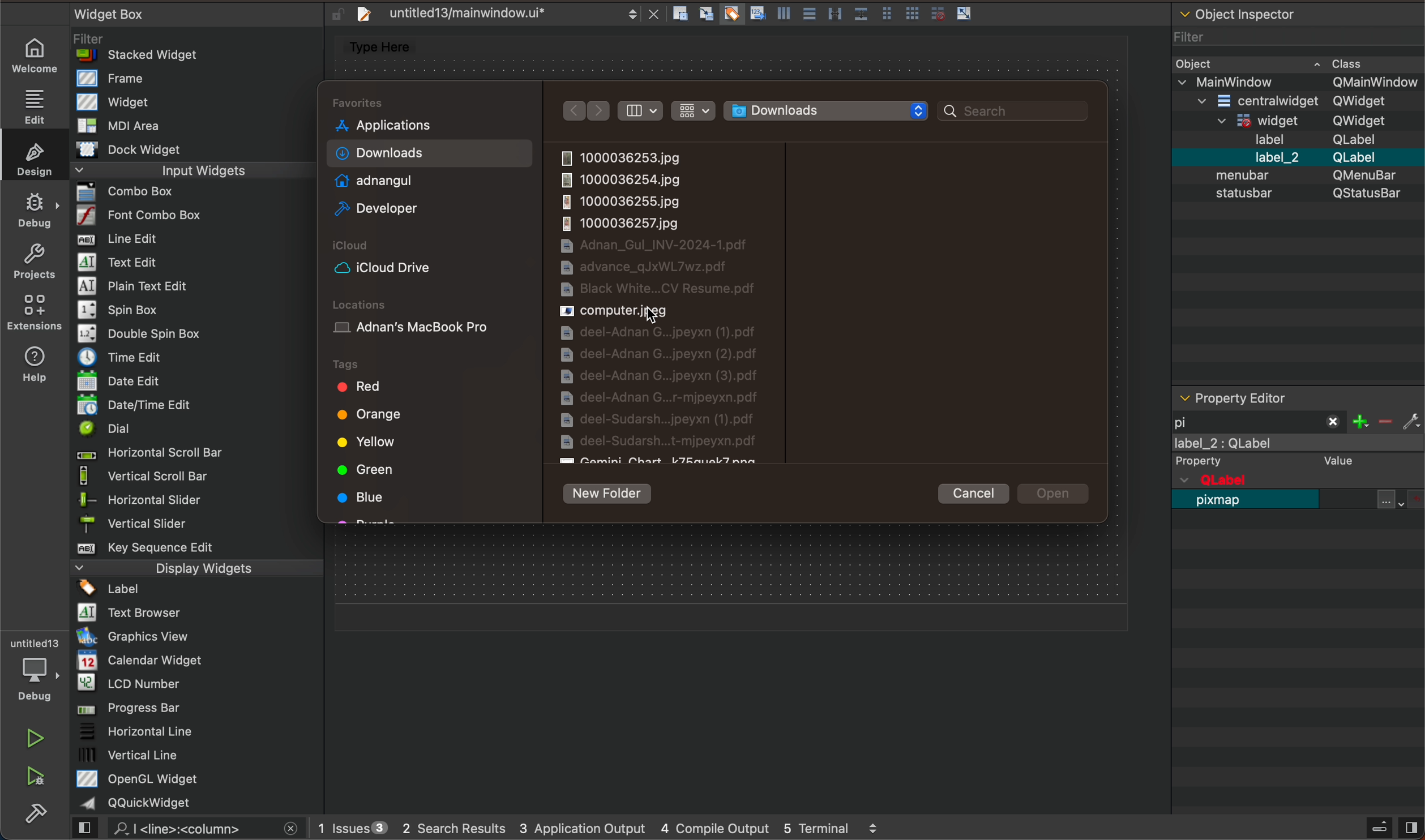 The height and width of the screenshot is (840, 1425). What do you see at coordinates (613, 491) in the screenshot?
I see `create new folder` at bounding box center [613, 491].